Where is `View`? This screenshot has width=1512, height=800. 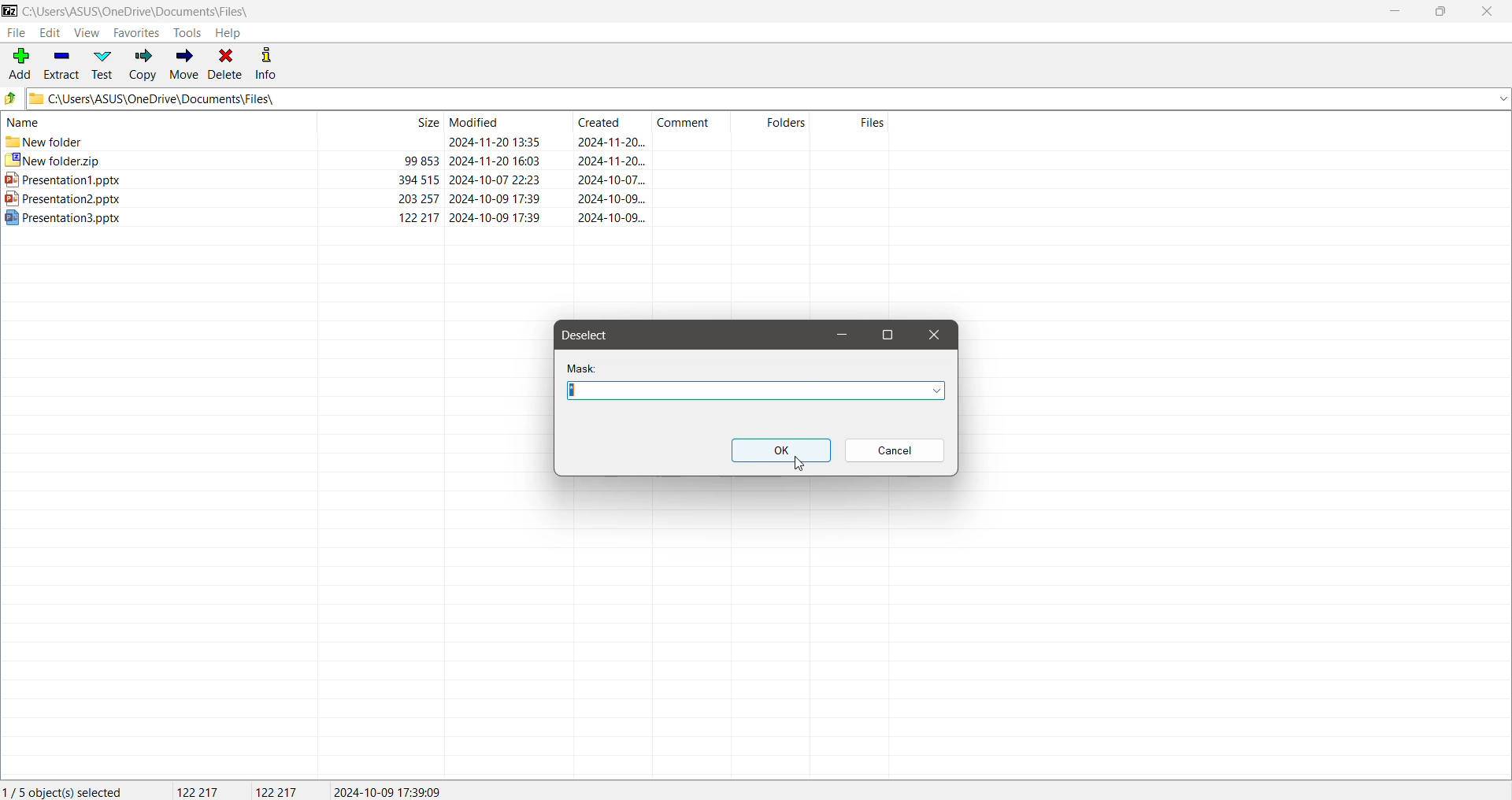 View is located at coordinates (86, 33).